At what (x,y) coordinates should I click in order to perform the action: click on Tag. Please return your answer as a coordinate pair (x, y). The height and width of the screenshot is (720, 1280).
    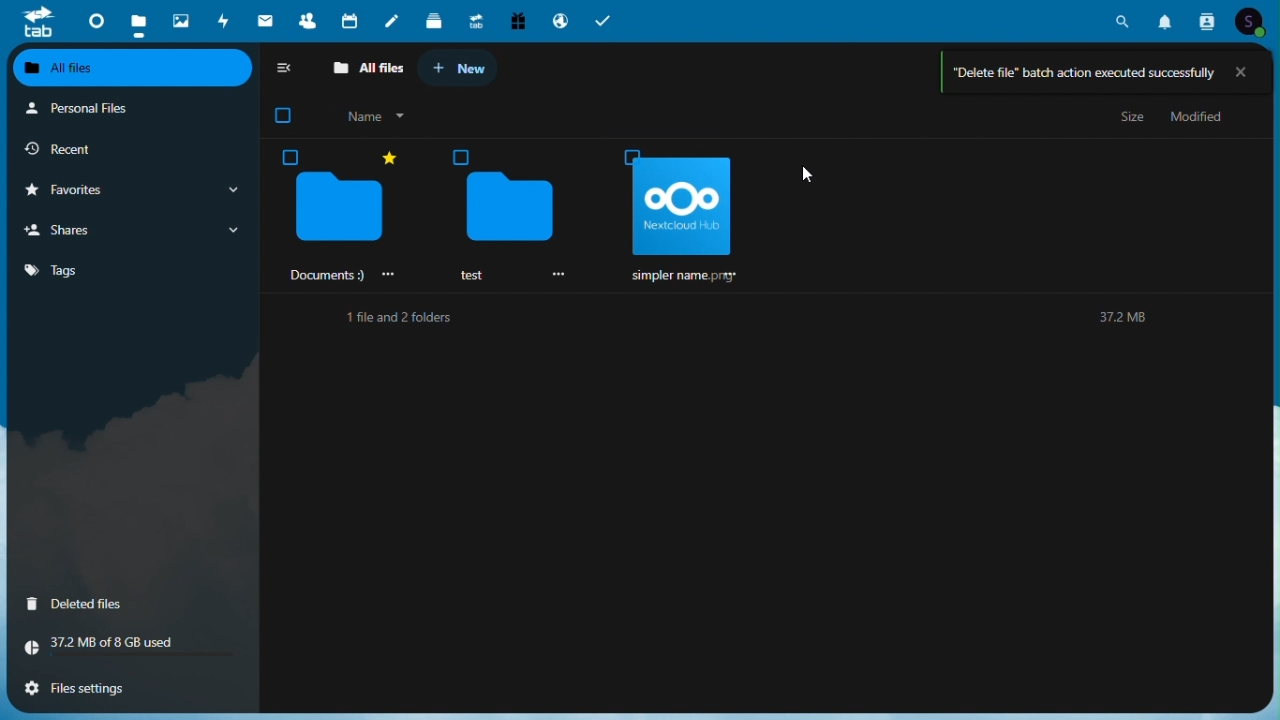
    Looking at the image, I should click on (102, 270).